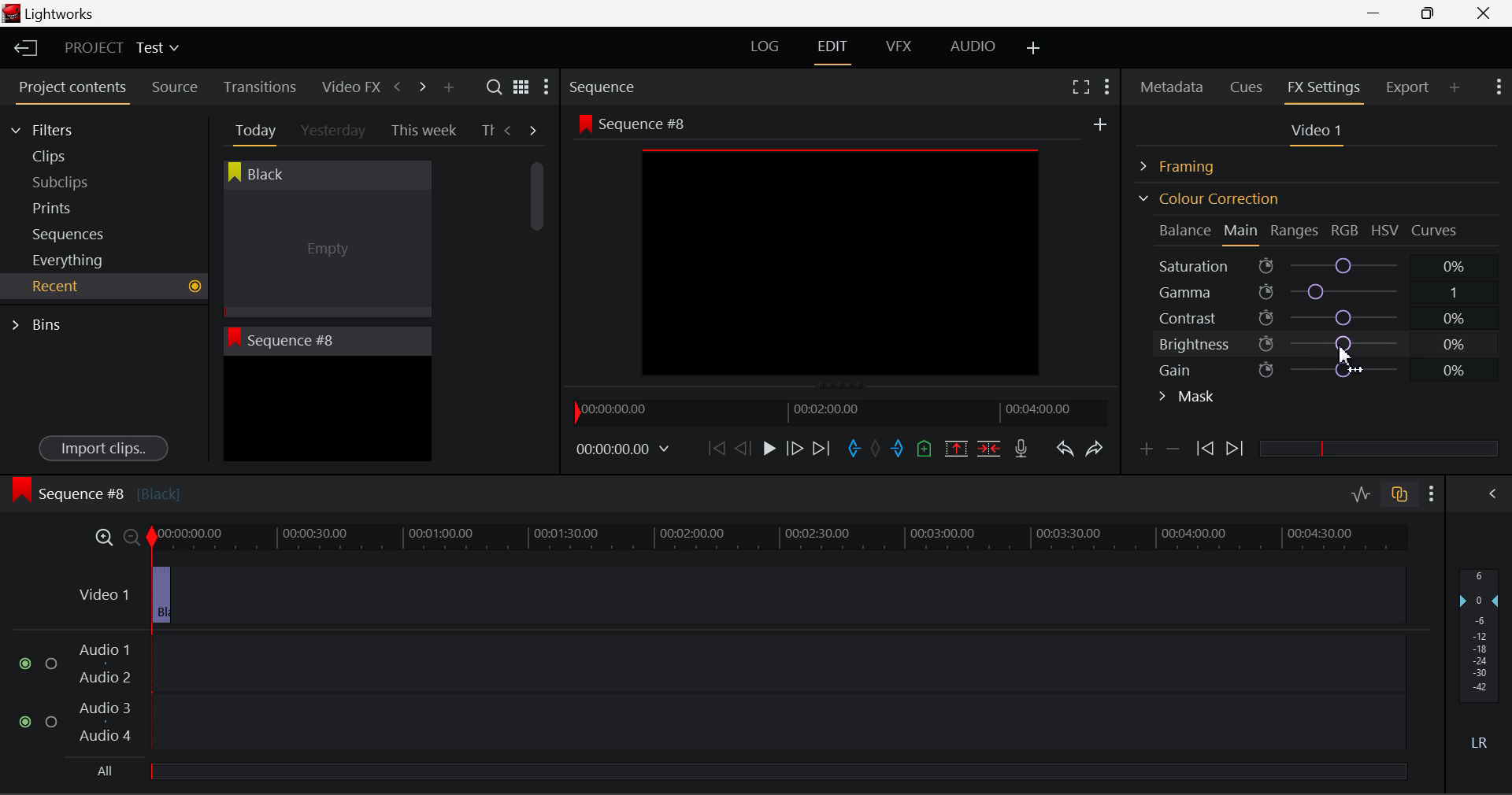  I want to click on Mark Out, so click(899, 449).